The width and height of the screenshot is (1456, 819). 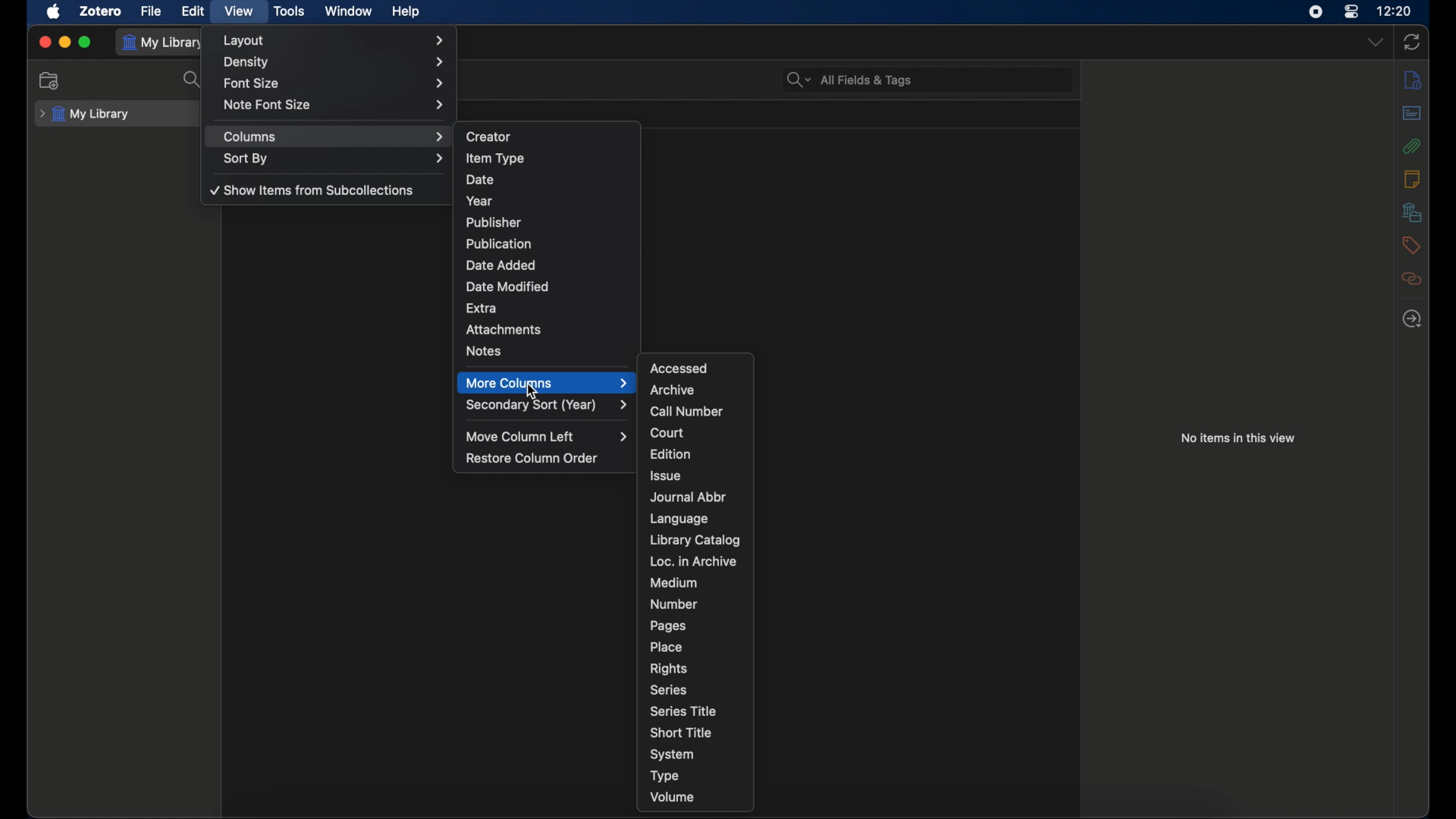 What do you see at coordinates (673, 798) in the screenshot?
I see `volume` at bounding box center [673, 798].